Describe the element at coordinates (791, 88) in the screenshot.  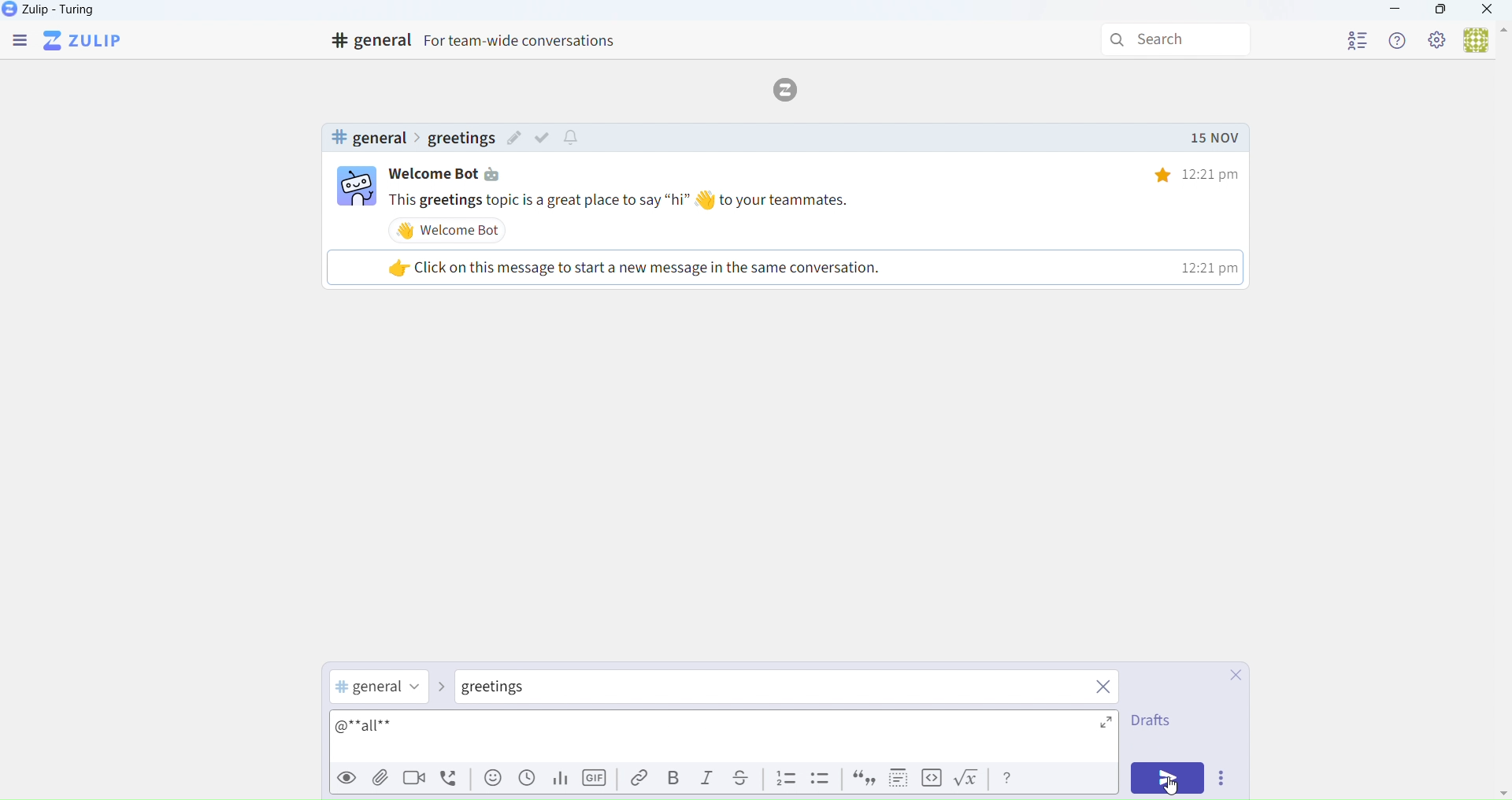
I see `Logo` at that location.